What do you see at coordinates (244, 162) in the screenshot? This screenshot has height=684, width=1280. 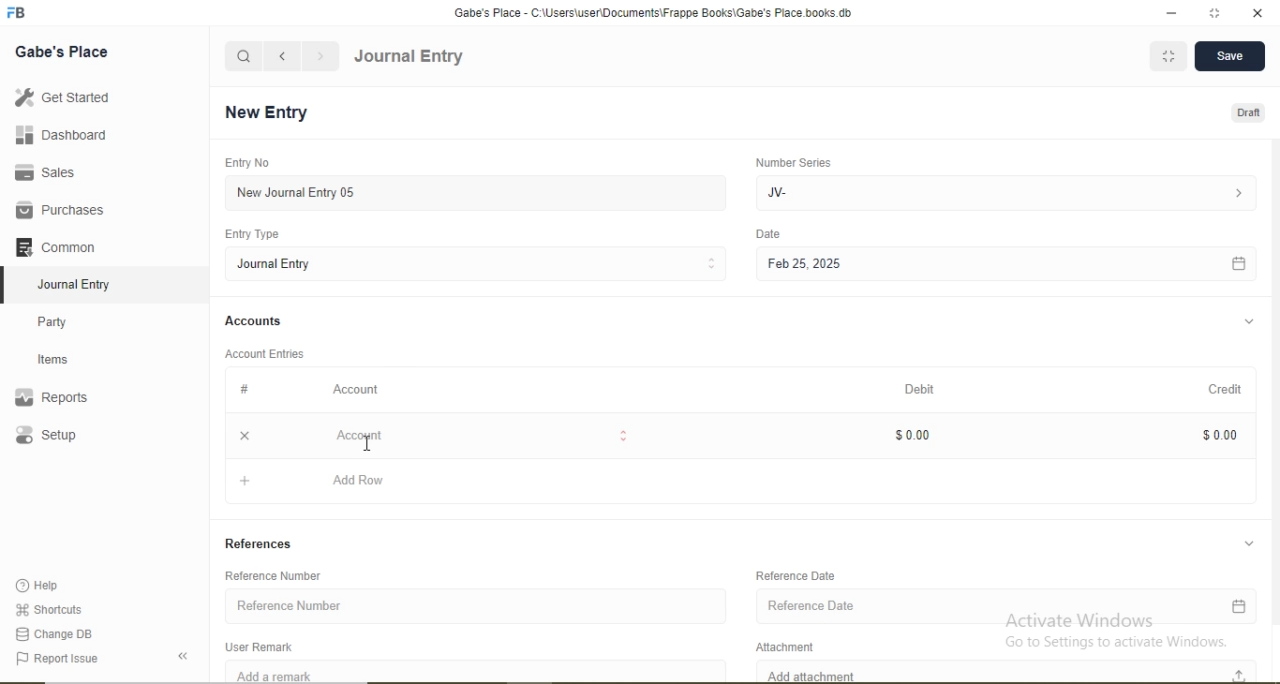 I see `Entry No` at bounding box center [244, 162].